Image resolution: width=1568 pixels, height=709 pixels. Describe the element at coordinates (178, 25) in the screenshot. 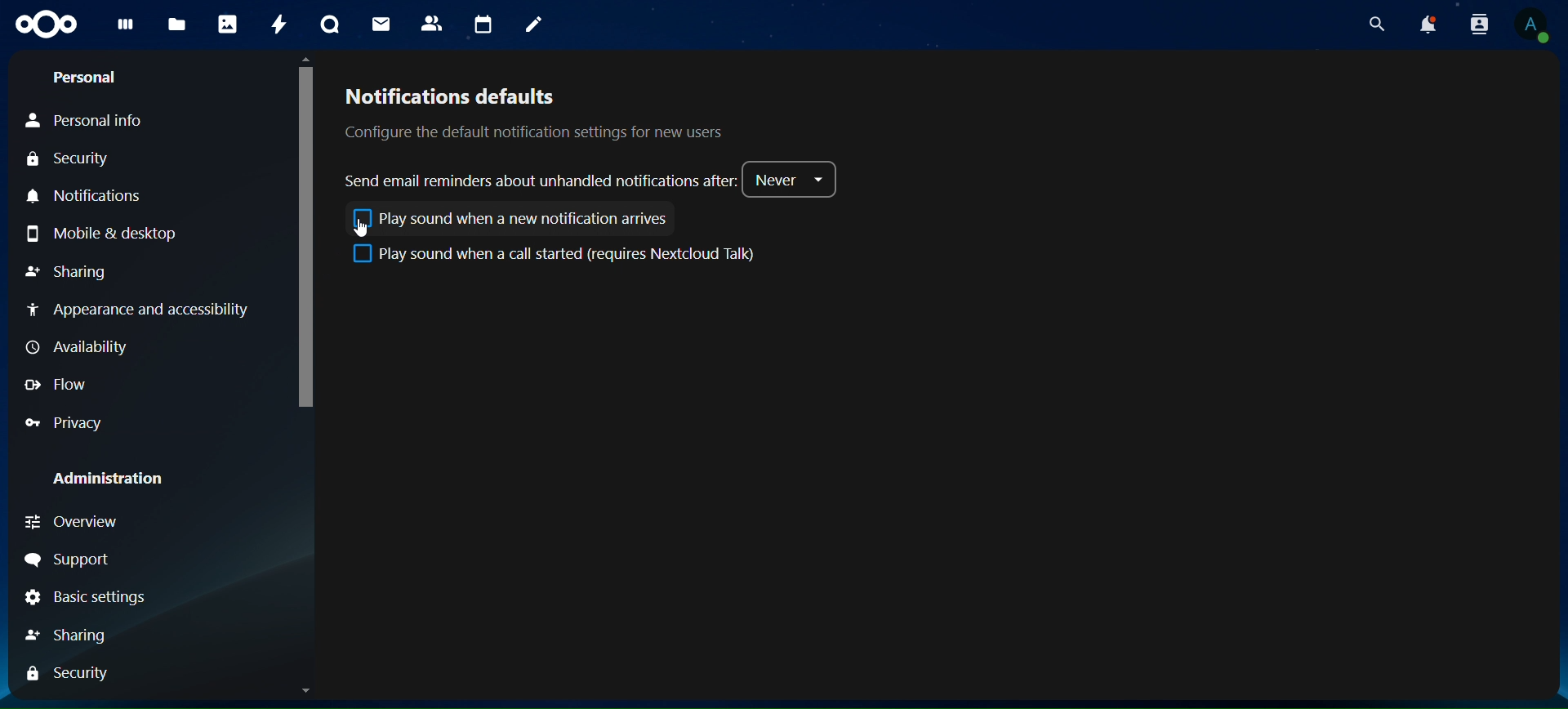

I see `files` at that location.